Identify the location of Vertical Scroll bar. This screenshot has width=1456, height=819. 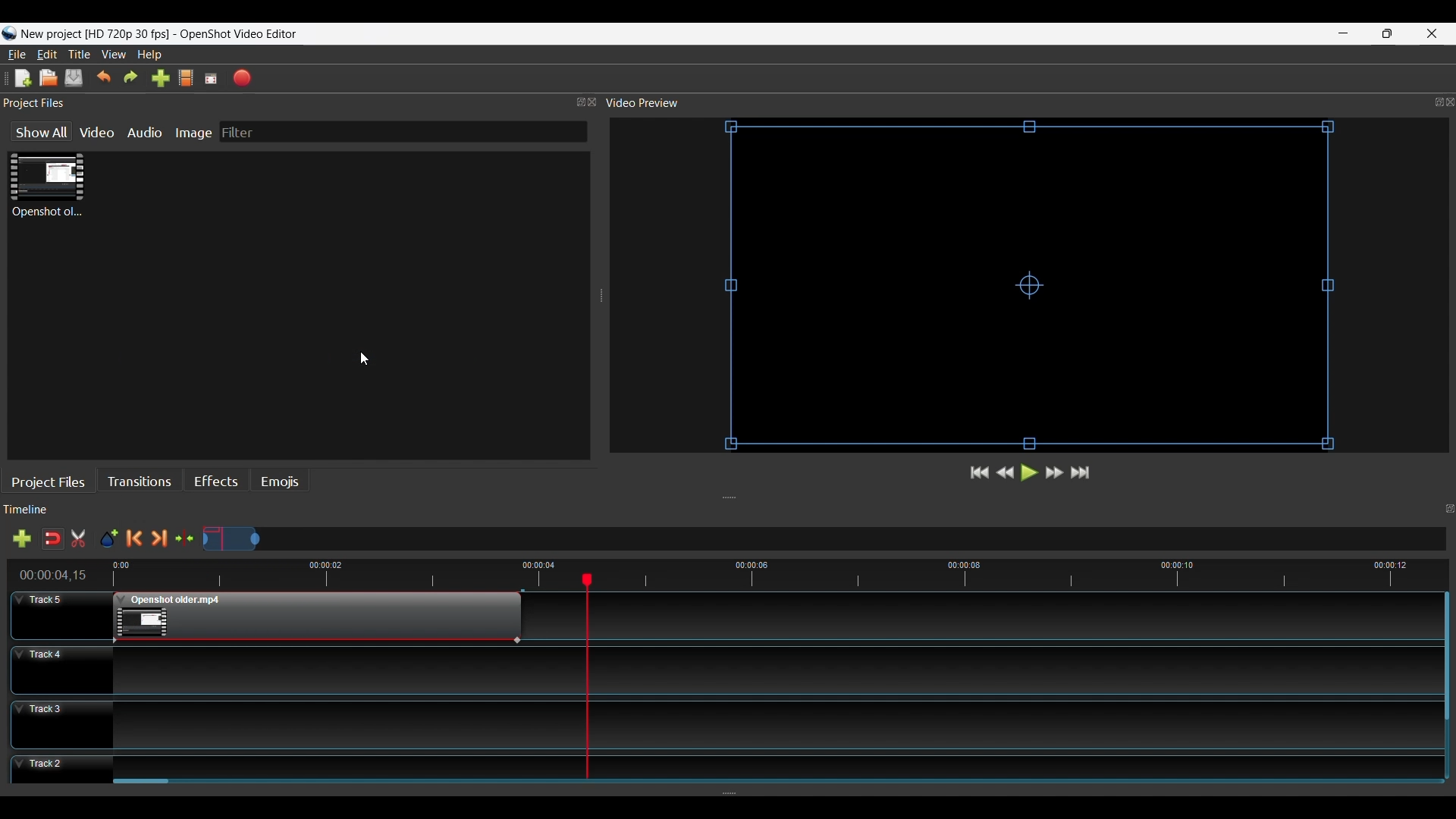
(143, 783).